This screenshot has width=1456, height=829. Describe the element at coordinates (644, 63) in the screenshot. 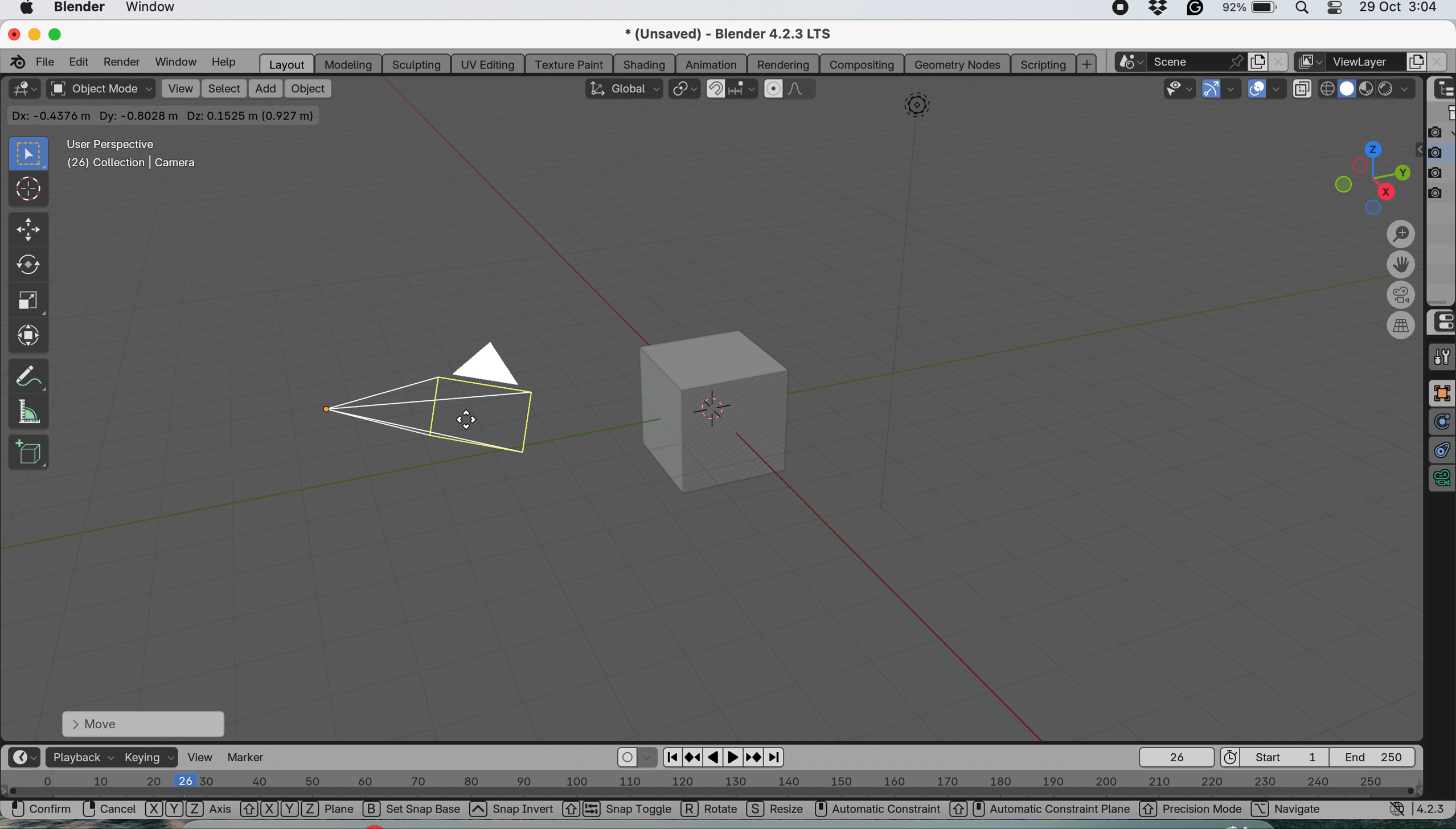

I see `shading` at that location.